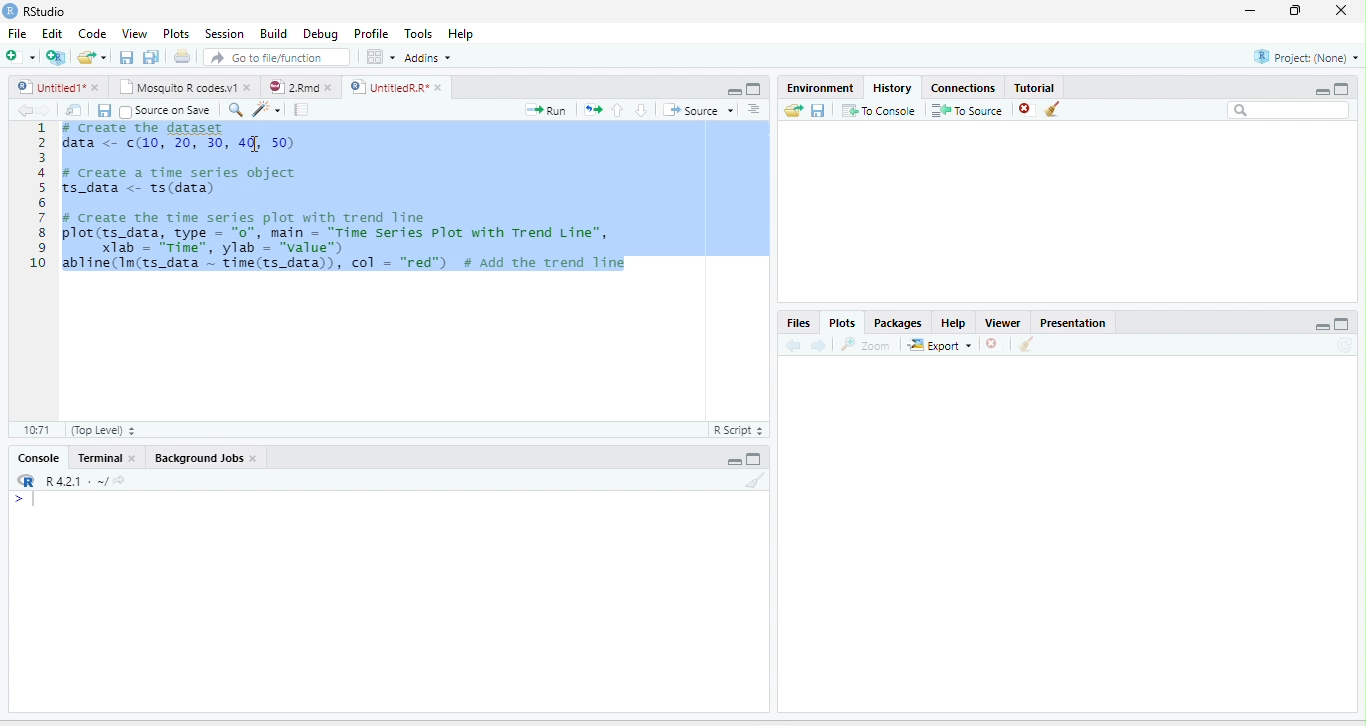 This screenshot has width=1366, height=726. I want to click on close, so click(254, 458).